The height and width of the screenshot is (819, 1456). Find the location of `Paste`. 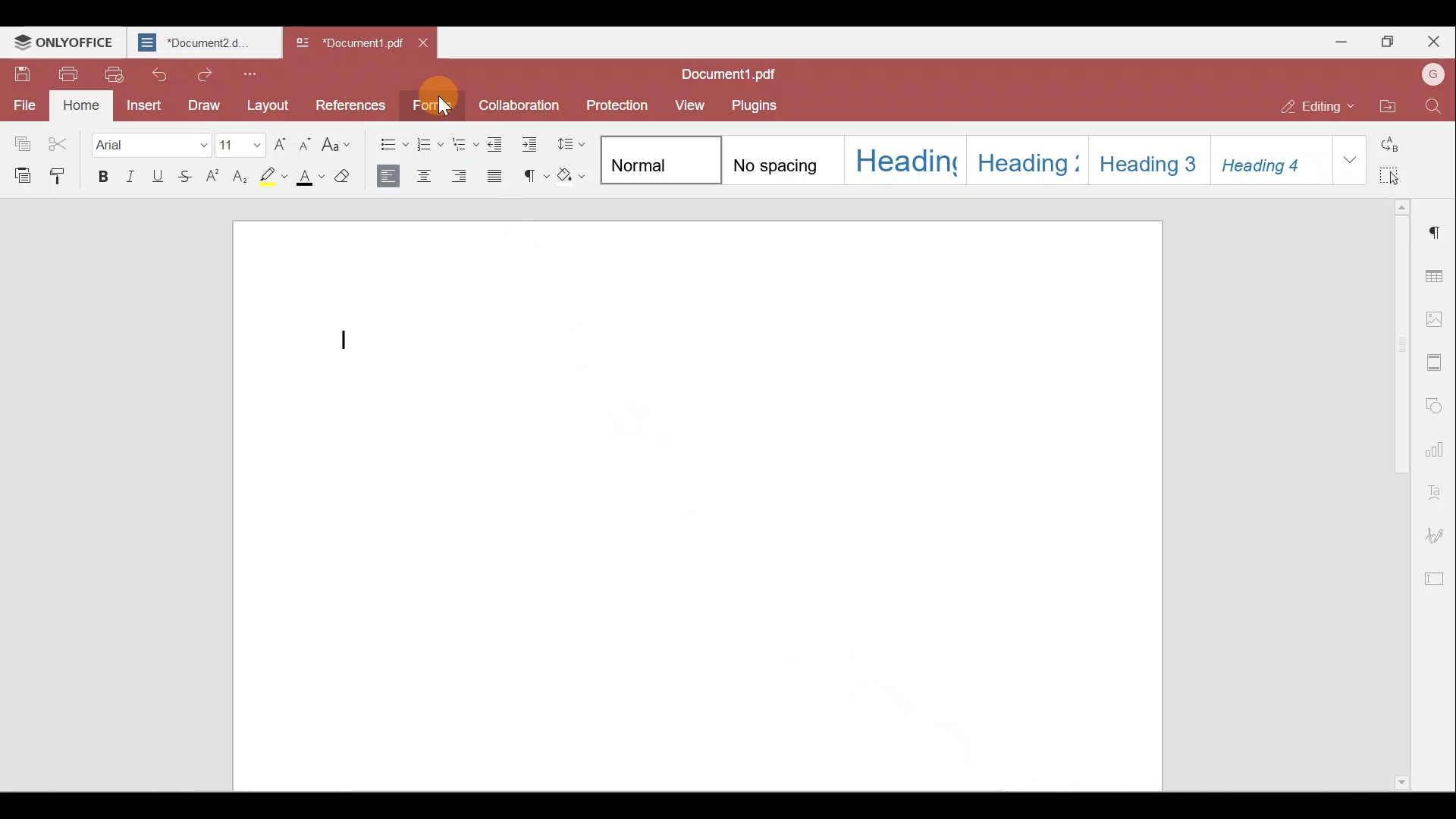

Paste is located at coordinates (19, 174).